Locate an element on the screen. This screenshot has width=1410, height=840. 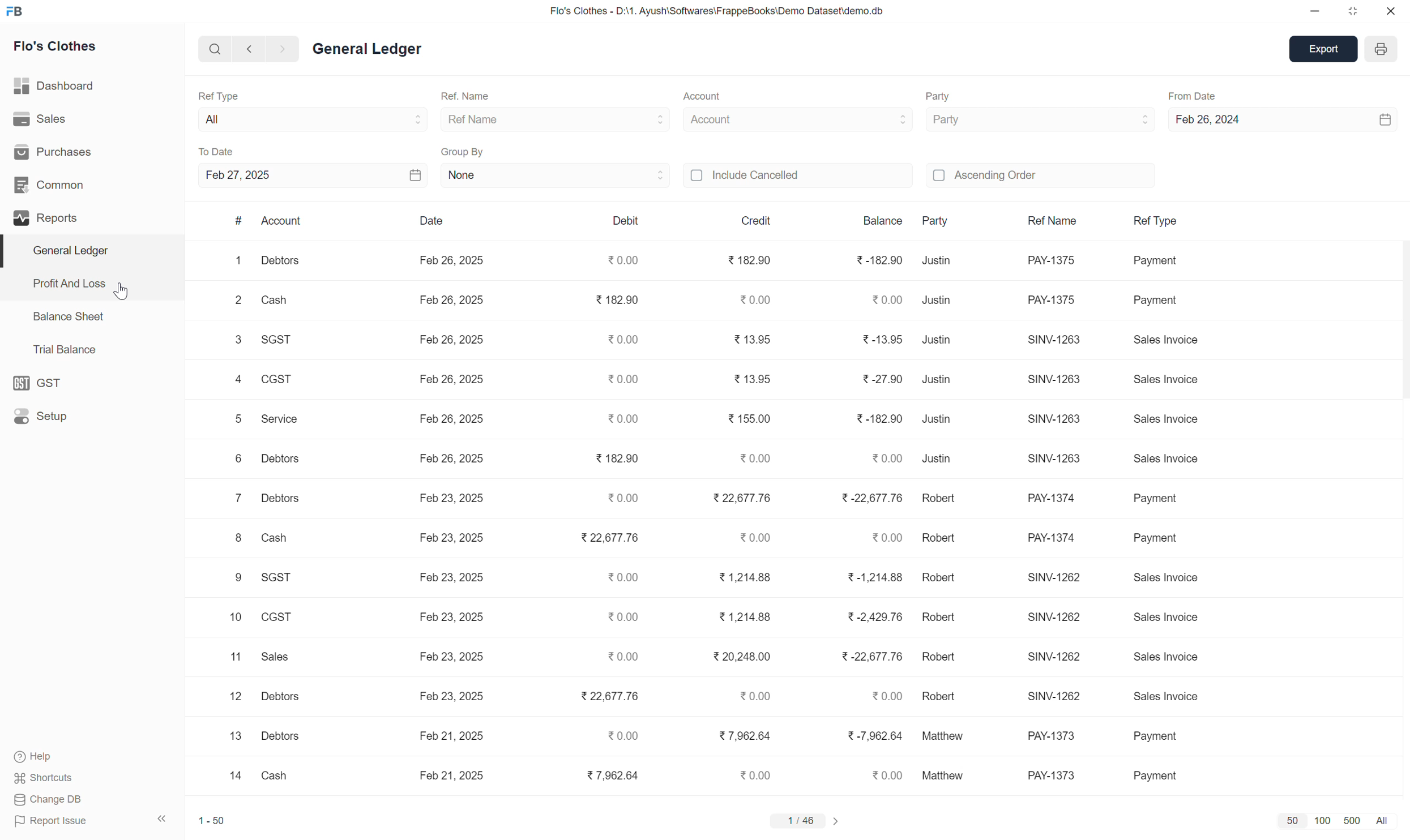
Party dropdown is located at coordinates (1130, 119).